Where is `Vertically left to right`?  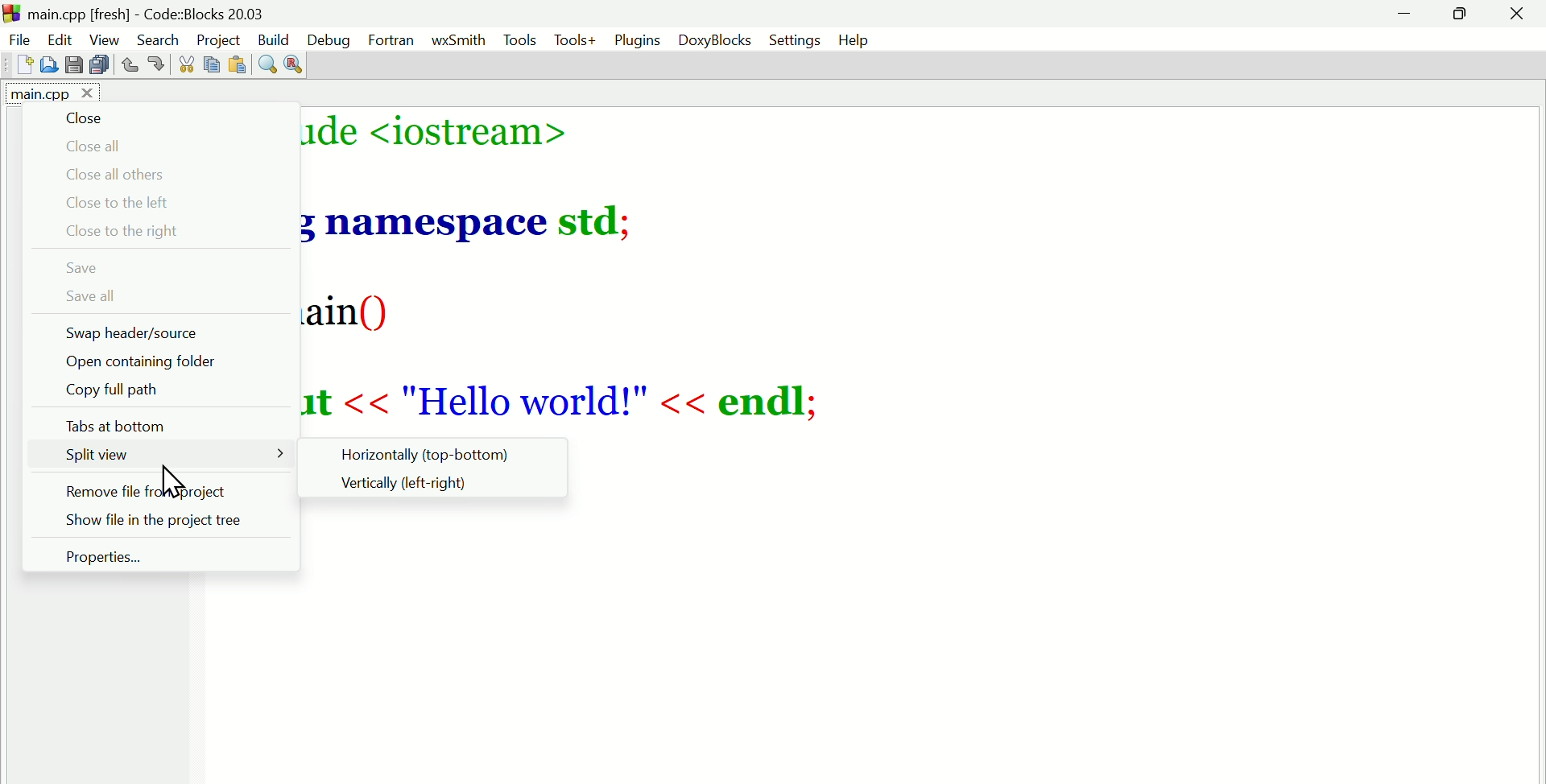 Vertically left to right is located at coordinates (418, 487).